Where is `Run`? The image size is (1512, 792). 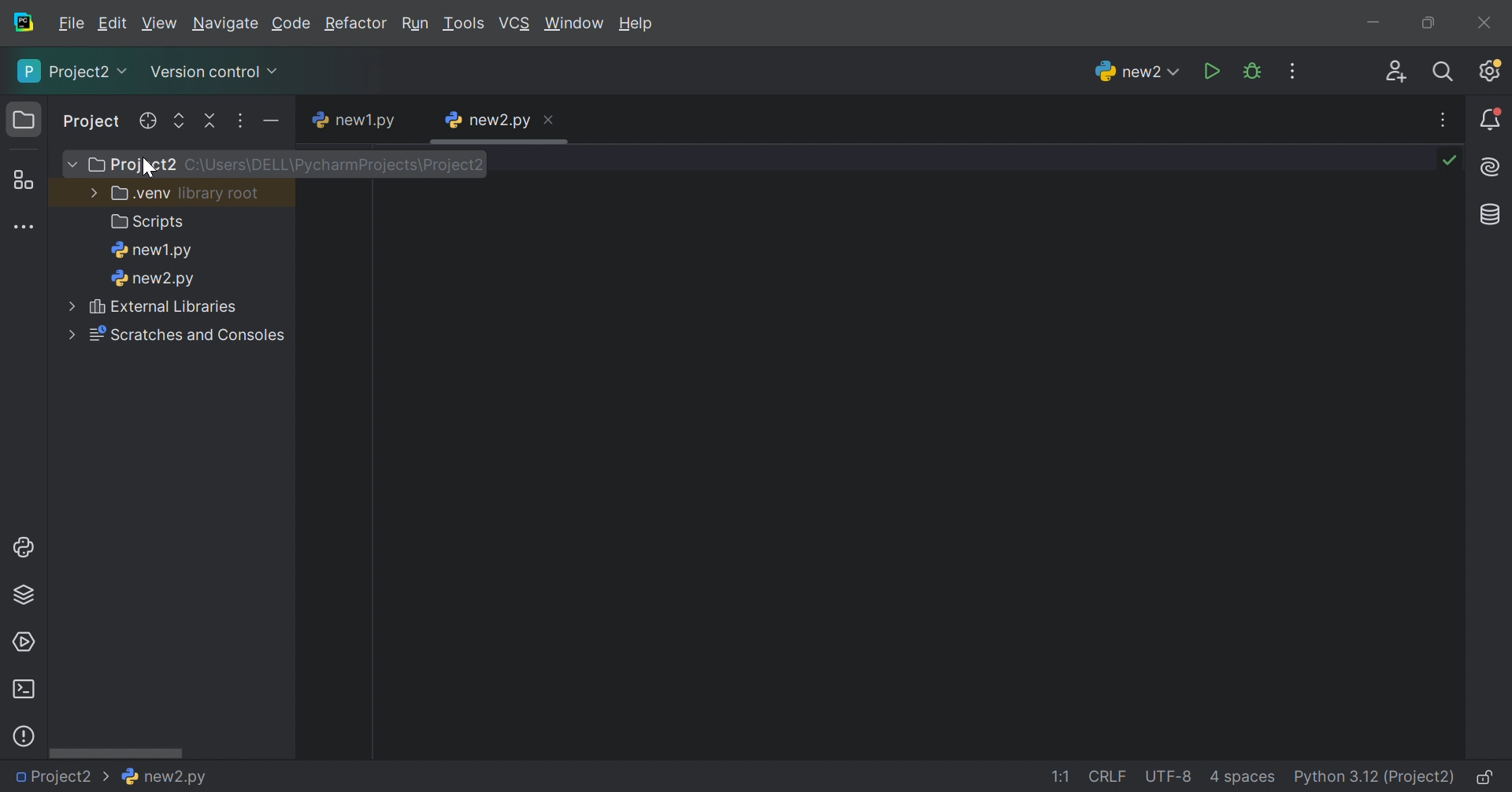
Run is located at coordinates (1213, 72).